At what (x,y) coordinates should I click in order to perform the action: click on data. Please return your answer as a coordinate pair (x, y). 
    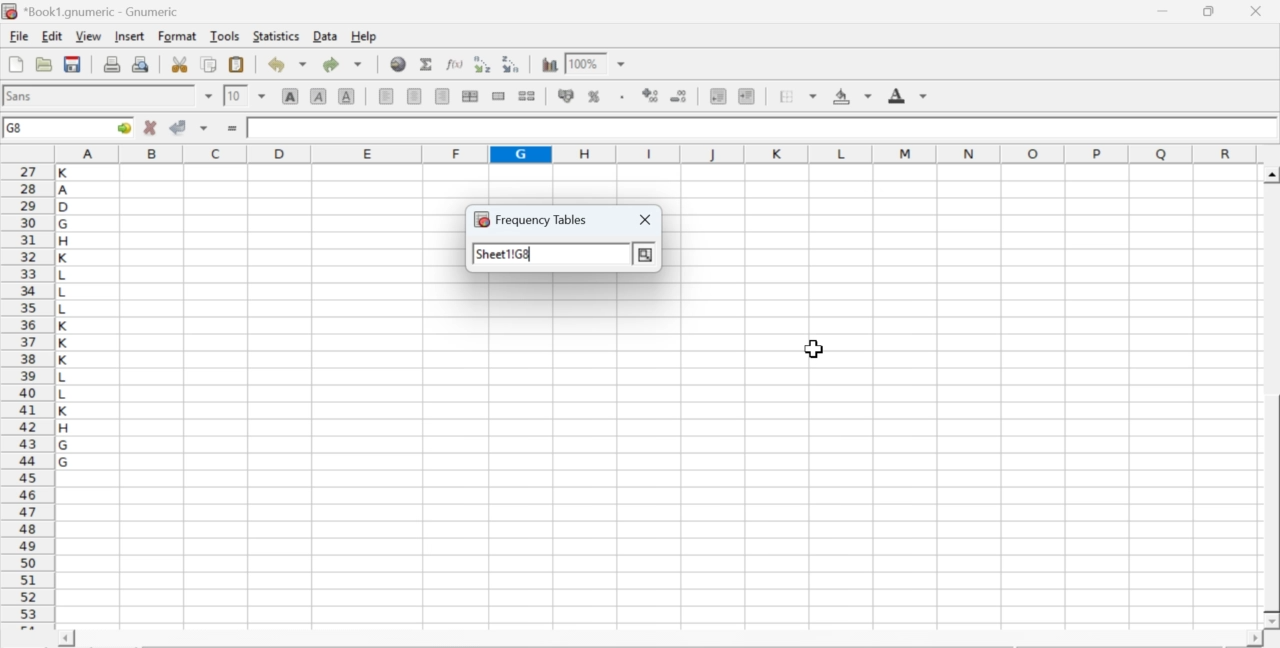
    Looking at the image, I should click on (327, 35).